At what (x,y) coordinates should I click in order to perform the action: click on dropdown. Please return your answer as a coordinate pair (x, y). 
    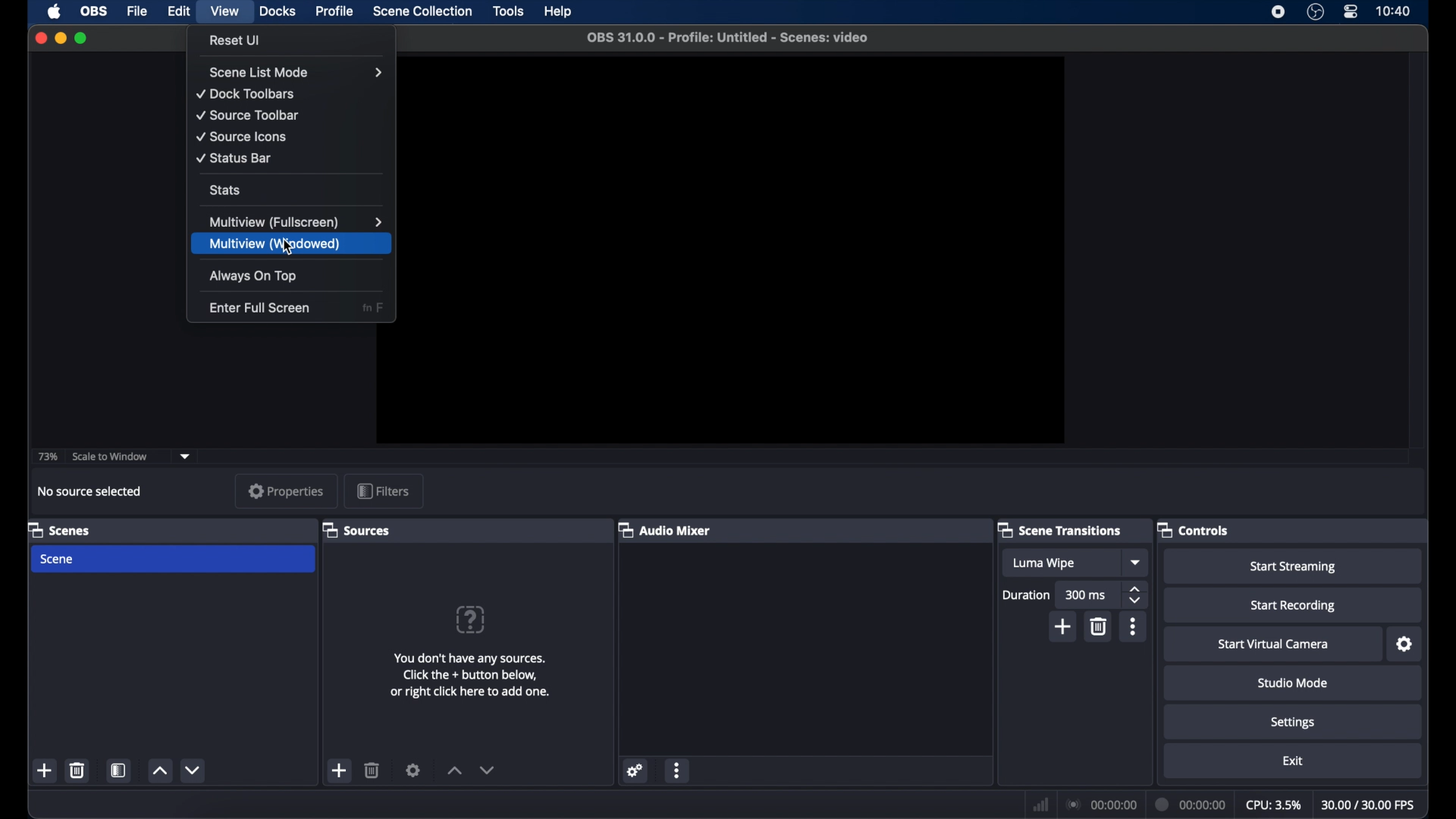
    Looking at the image, I should click on (186, 455).